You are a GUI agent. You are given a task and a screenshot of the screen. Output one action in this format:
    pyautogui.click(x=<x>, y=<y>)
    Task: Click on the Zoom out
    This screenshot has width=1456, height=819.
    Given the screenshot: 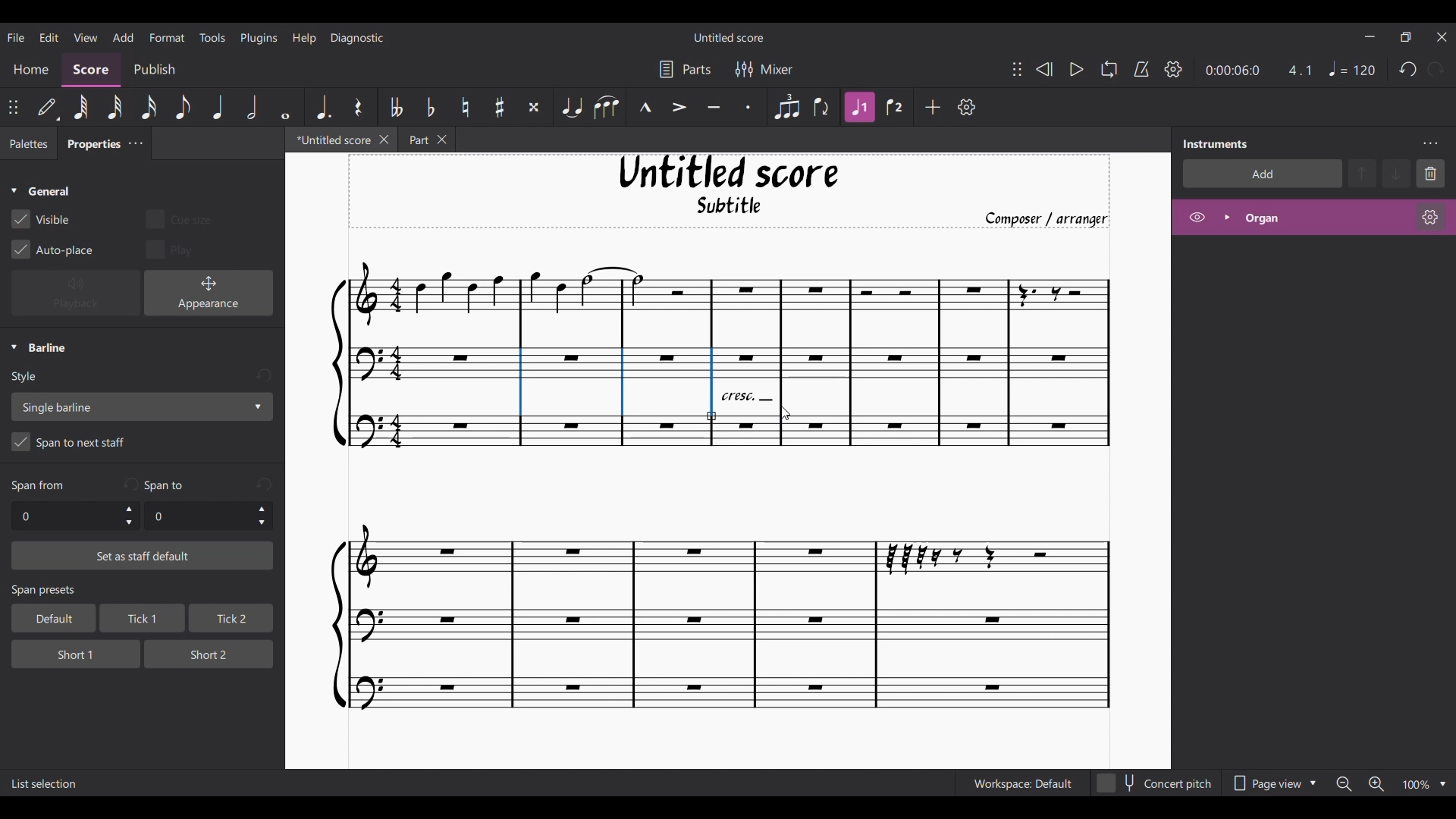 What is the action you would take?
    pyautogui.click(x=1344, y=784)
    